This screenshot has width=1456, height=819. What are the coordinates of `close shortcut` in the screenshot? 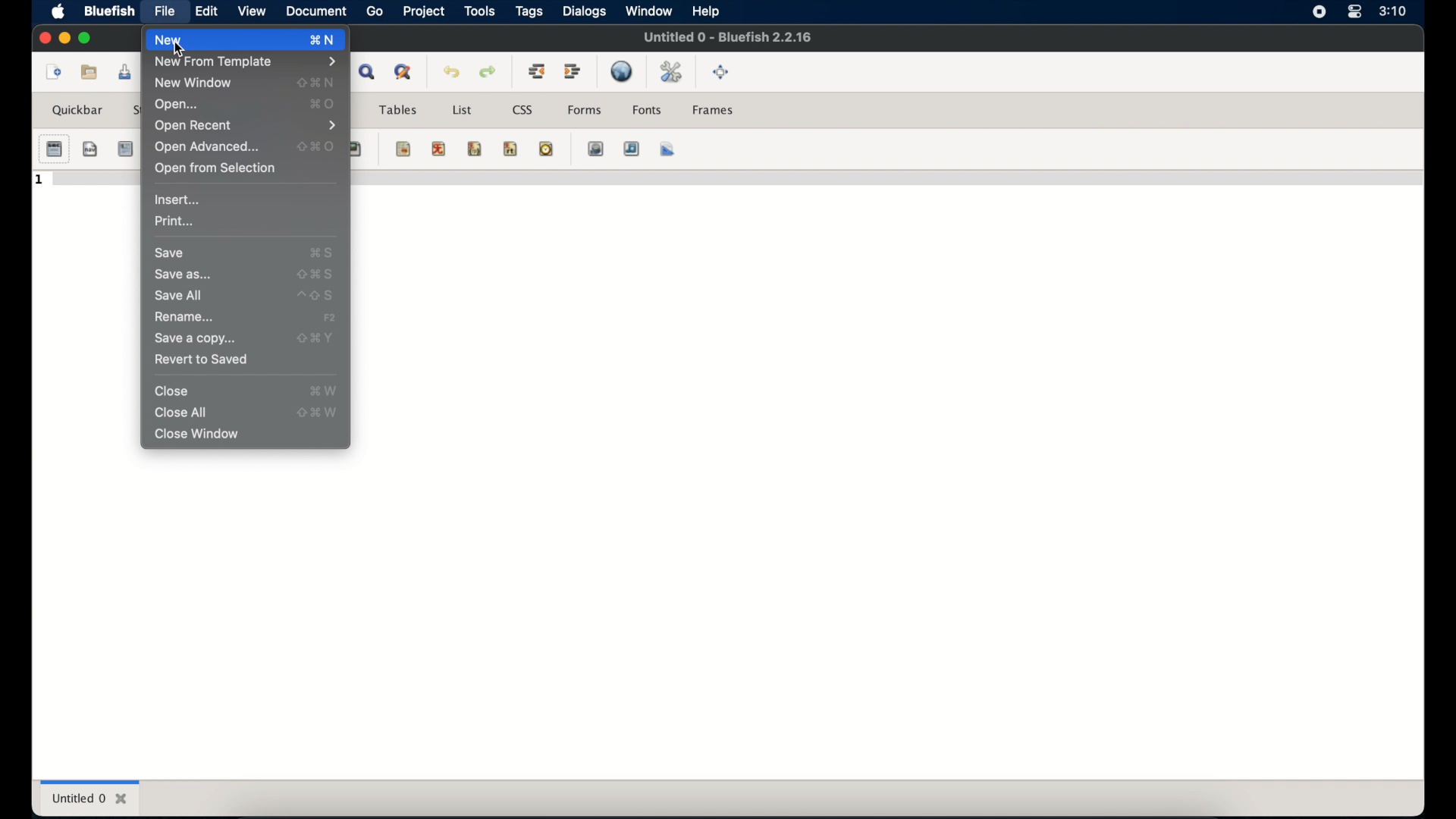 It's located at (323, 391).